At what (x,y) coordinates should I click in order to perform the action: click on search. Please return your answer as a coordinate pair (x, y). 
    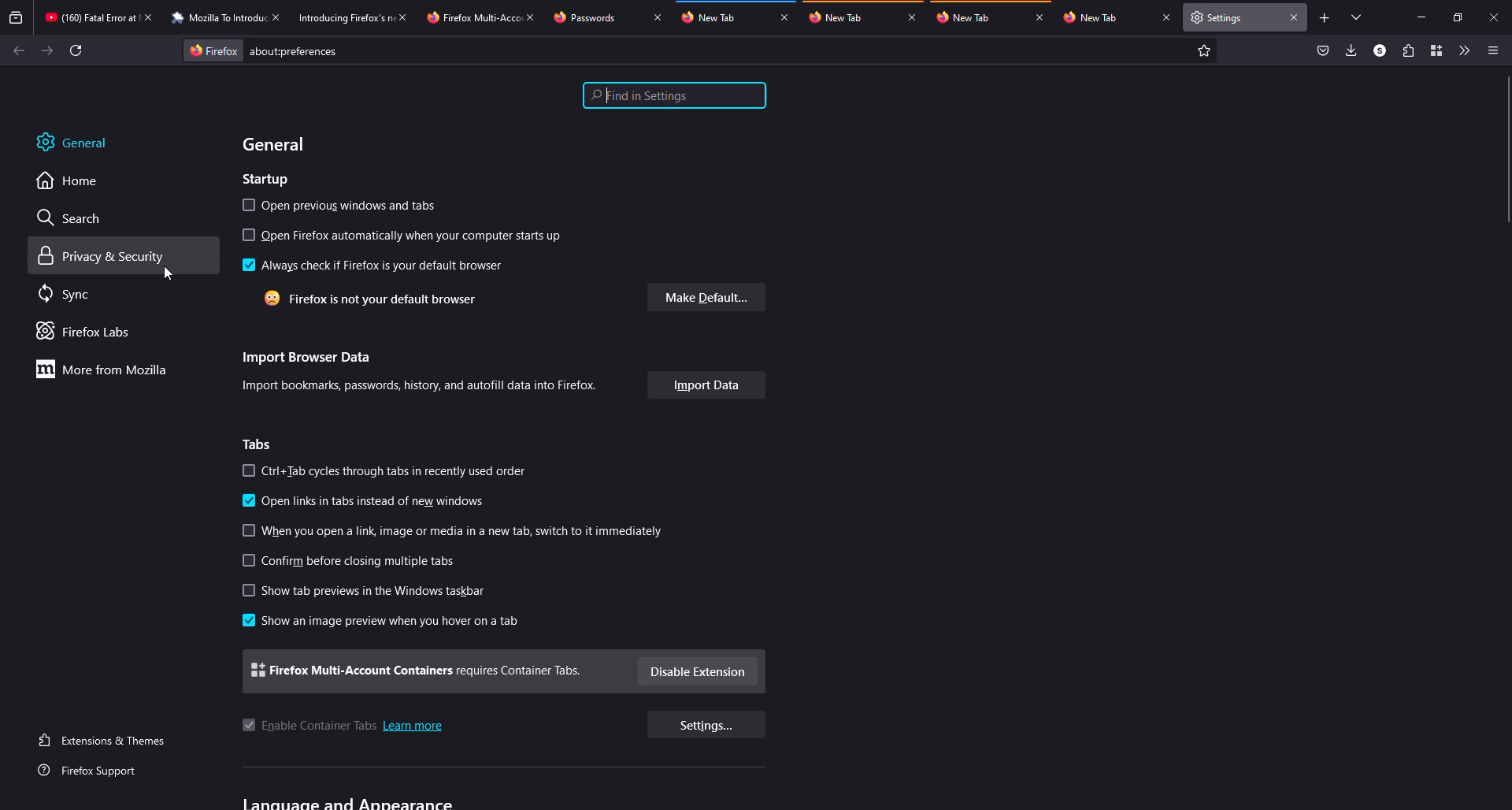
    Looking at the image, I should click on (72, 217).